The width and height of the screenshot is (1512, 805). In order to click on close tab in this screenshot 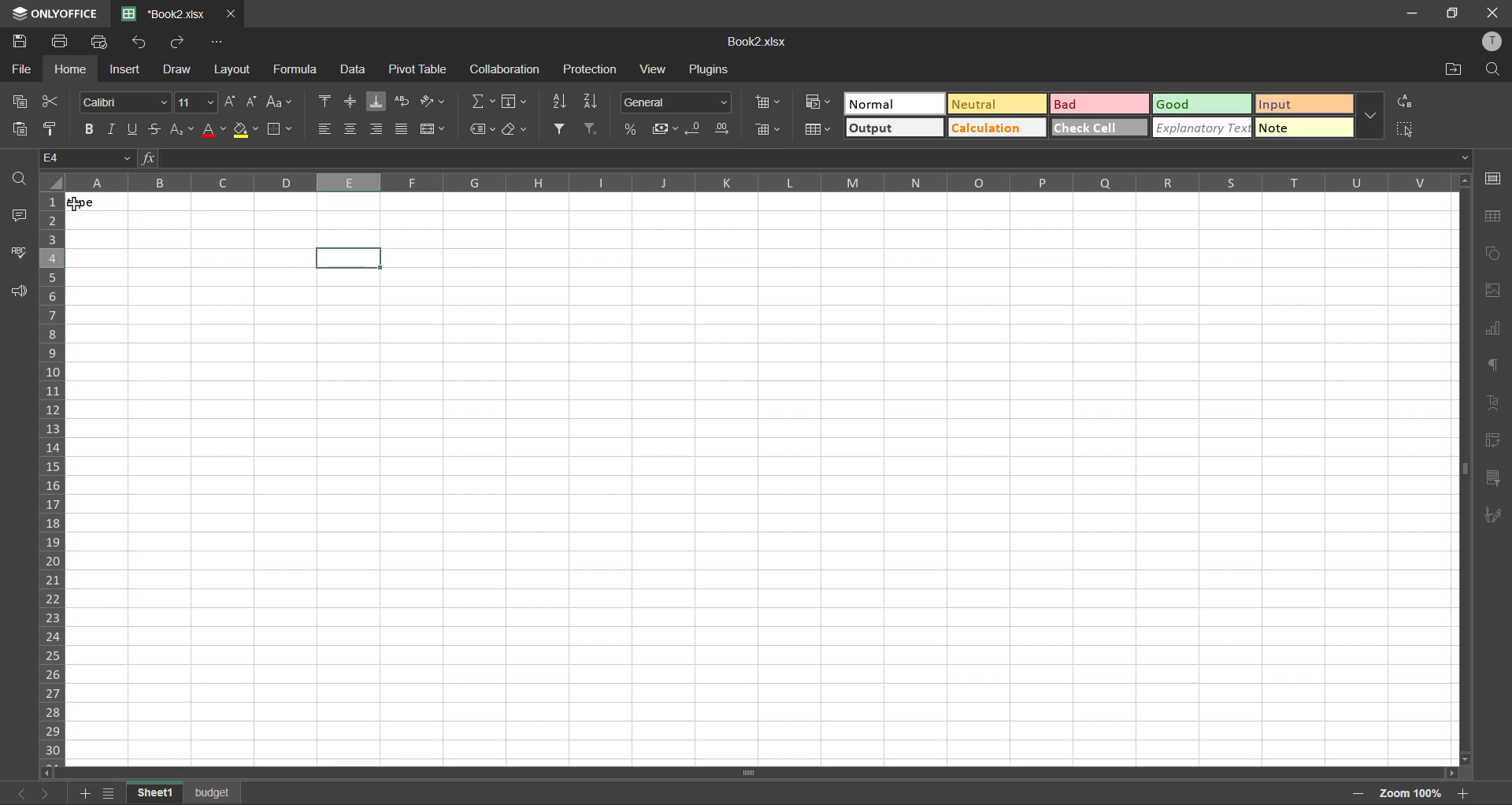, I will do `click(228, 15)`.